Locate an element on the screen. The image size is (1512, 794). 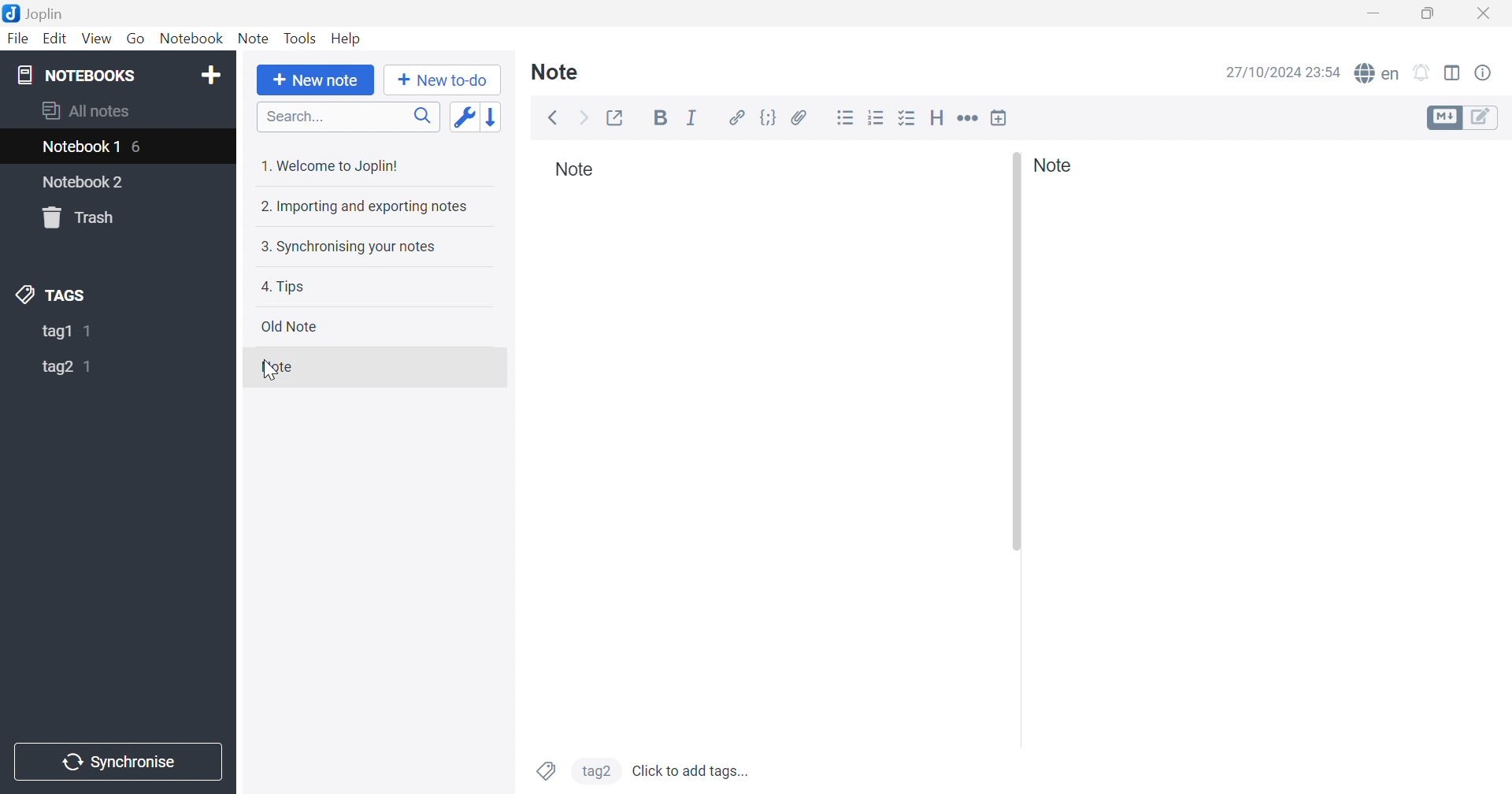
Note is located at coordinates (253, 38).